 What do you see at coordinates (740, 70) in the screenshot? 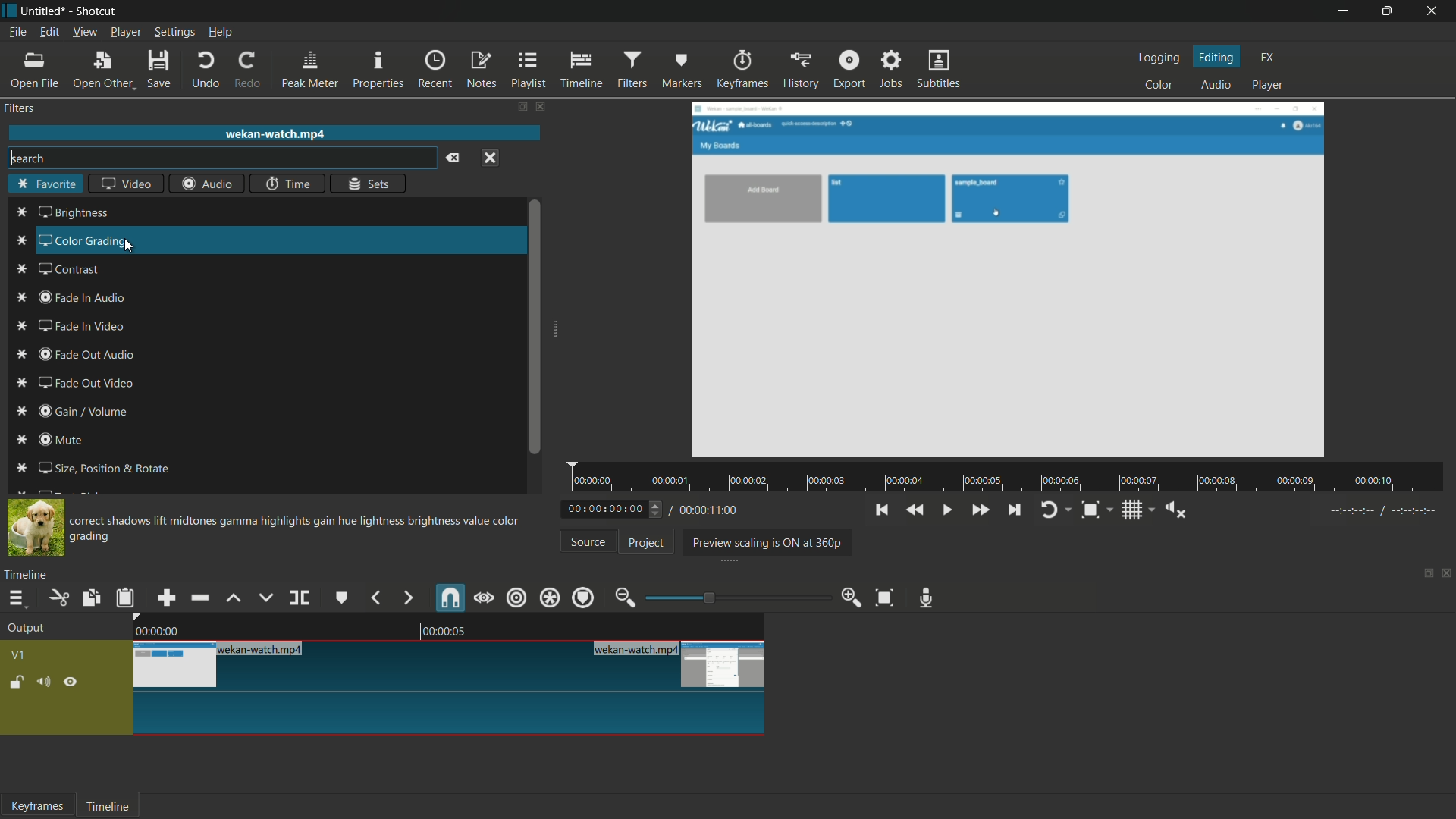
I see `keyframes` at bounding box center [740, 70].